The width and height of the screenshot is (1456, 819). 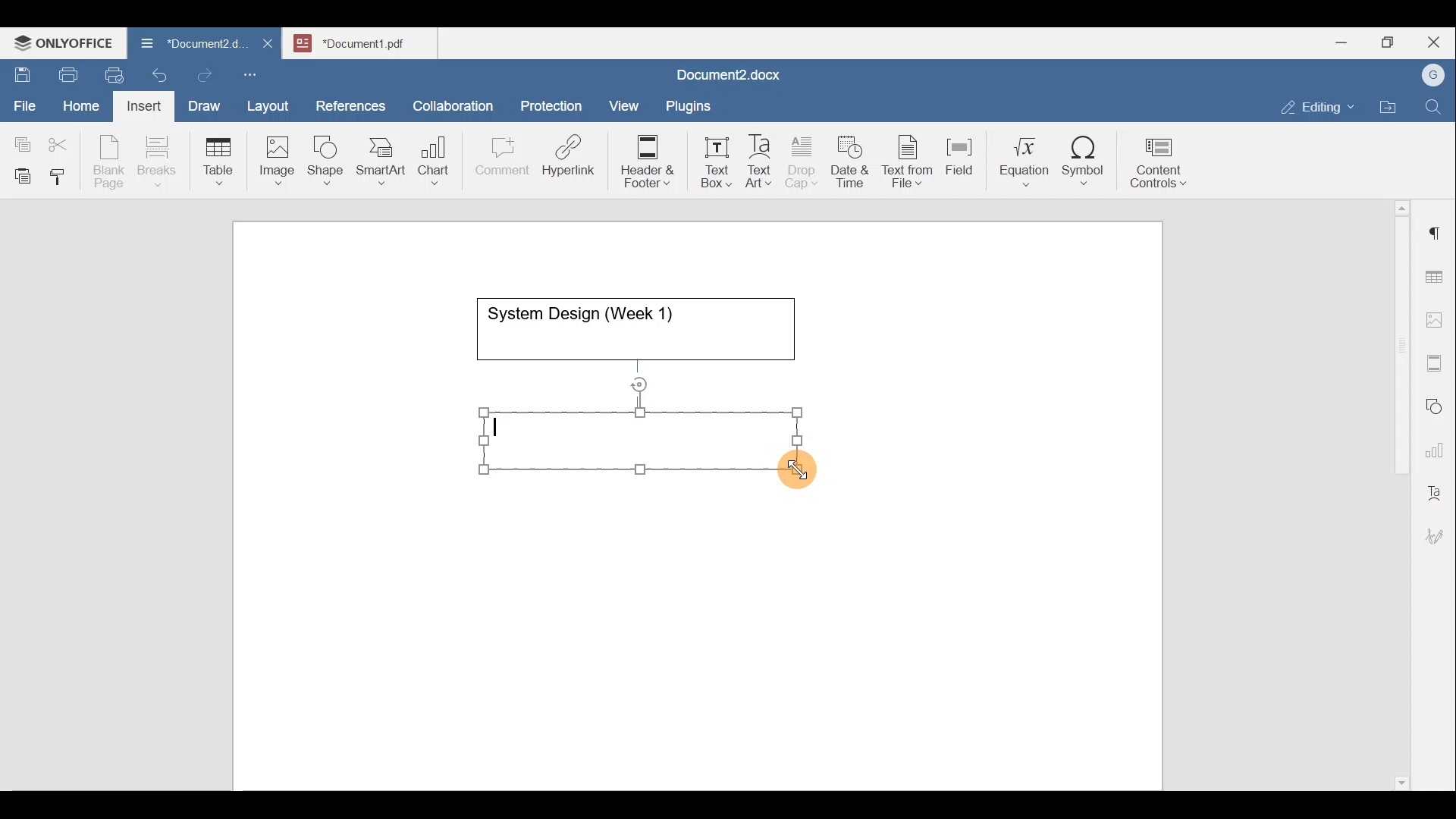 I want to click on Scroll bar, so click(x=1396, y=492).